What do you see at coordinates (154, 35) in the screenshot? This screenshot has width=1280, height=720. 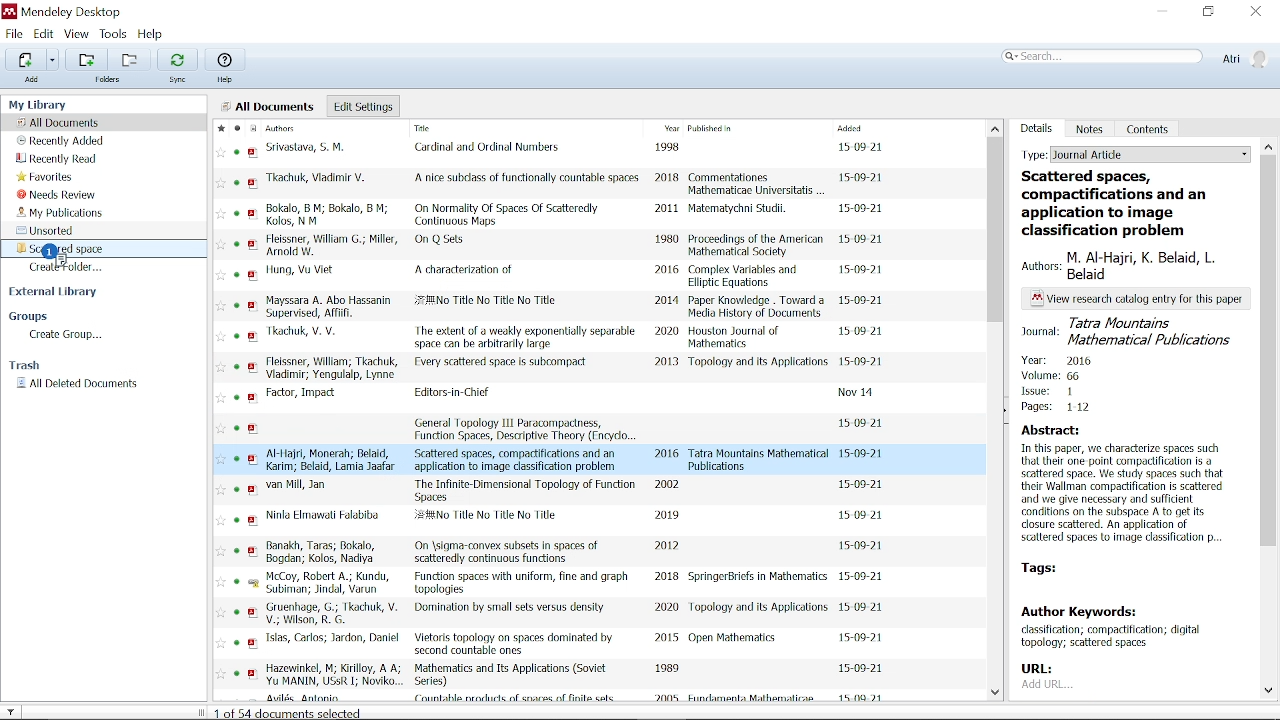 I see `Help` at bounding box center [154, 35].